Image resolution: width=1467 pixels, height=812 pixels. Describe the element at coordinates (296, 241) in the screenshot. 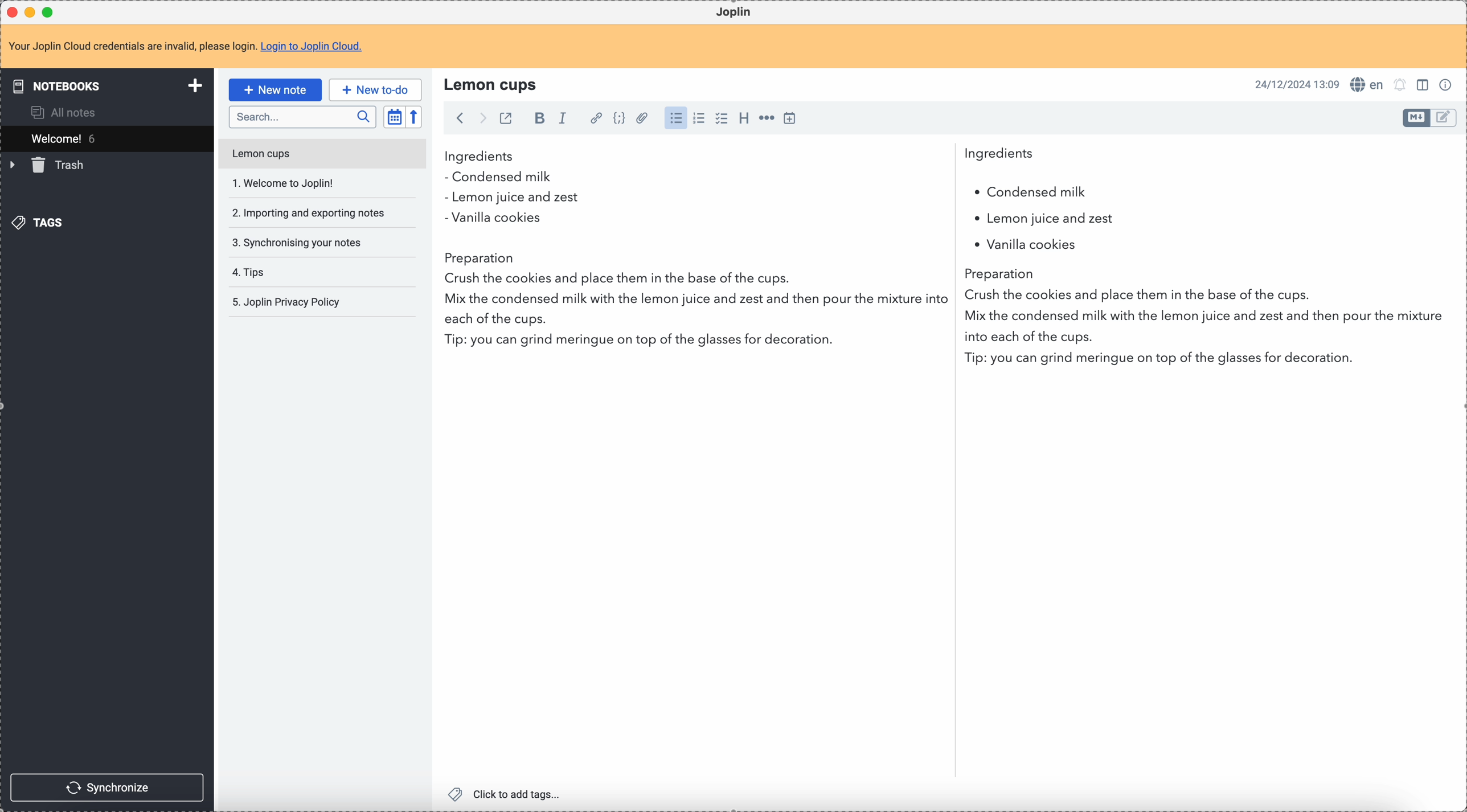

I see `synchronising your notes` at that location.